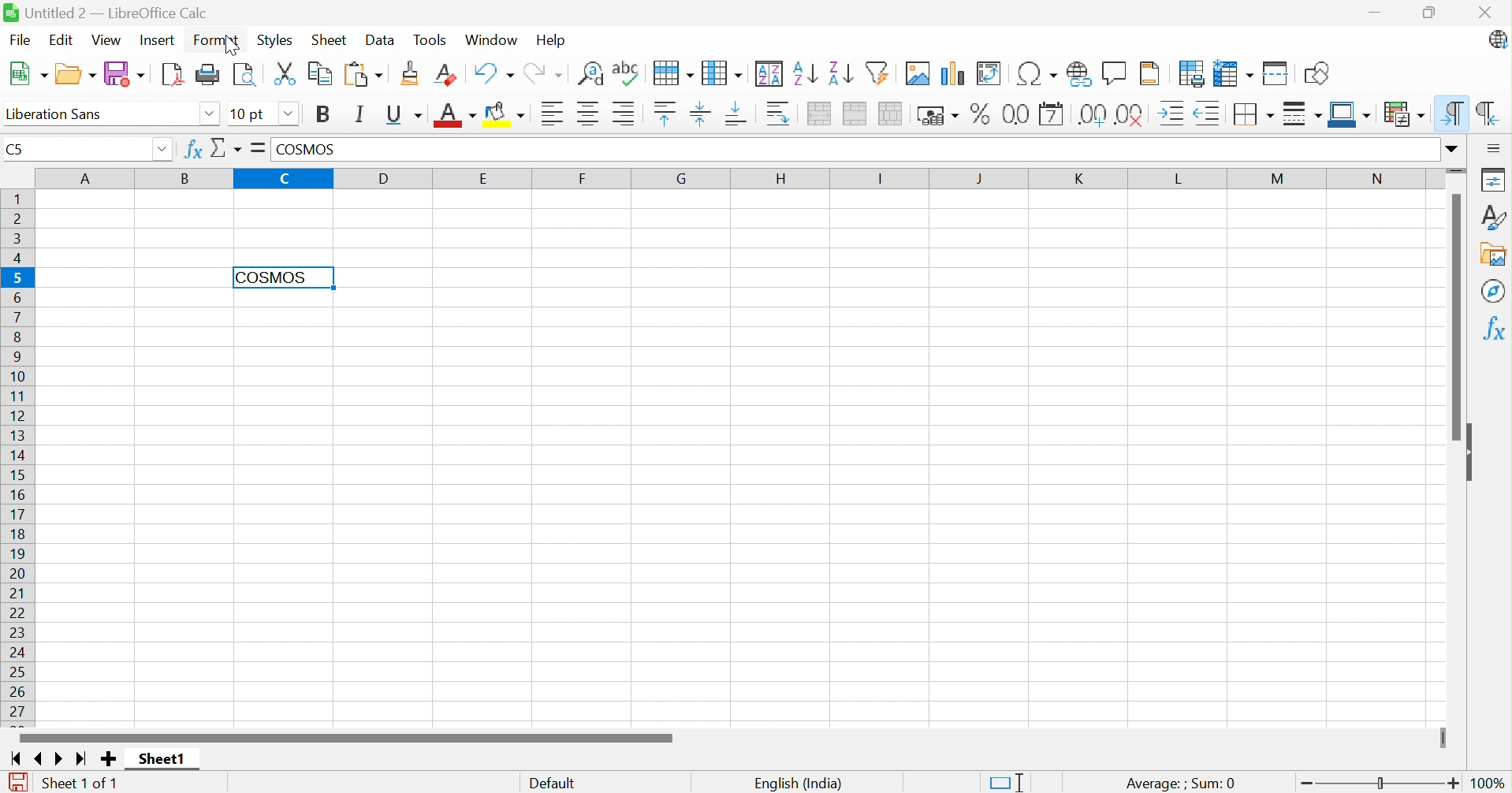 The width and height of the screenshot is (1512, 793). What do you see at coordinates (779, 116) in the screenshot?
I see `Wrap Text` at bounding box center [779, 116].